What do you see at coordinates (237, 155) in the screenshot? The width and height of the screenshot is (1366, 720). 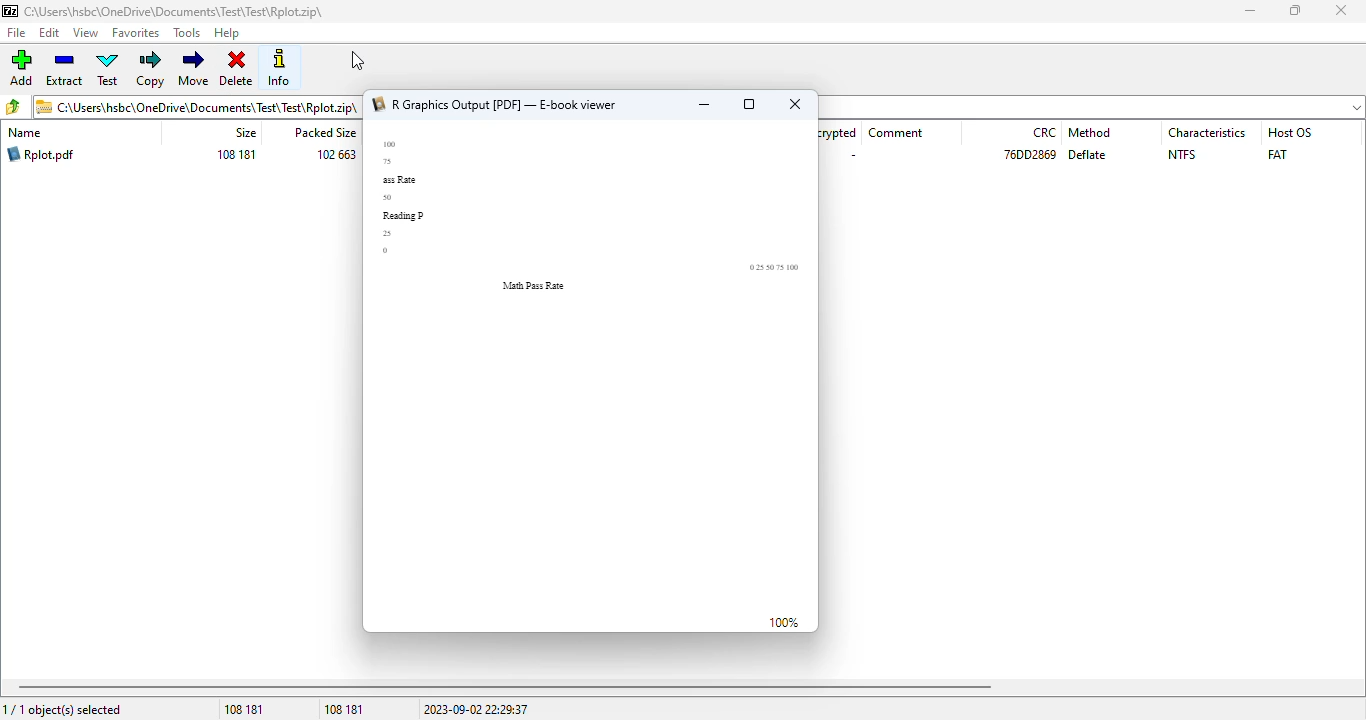 I see `108 181` at bounding box center [237, 155].